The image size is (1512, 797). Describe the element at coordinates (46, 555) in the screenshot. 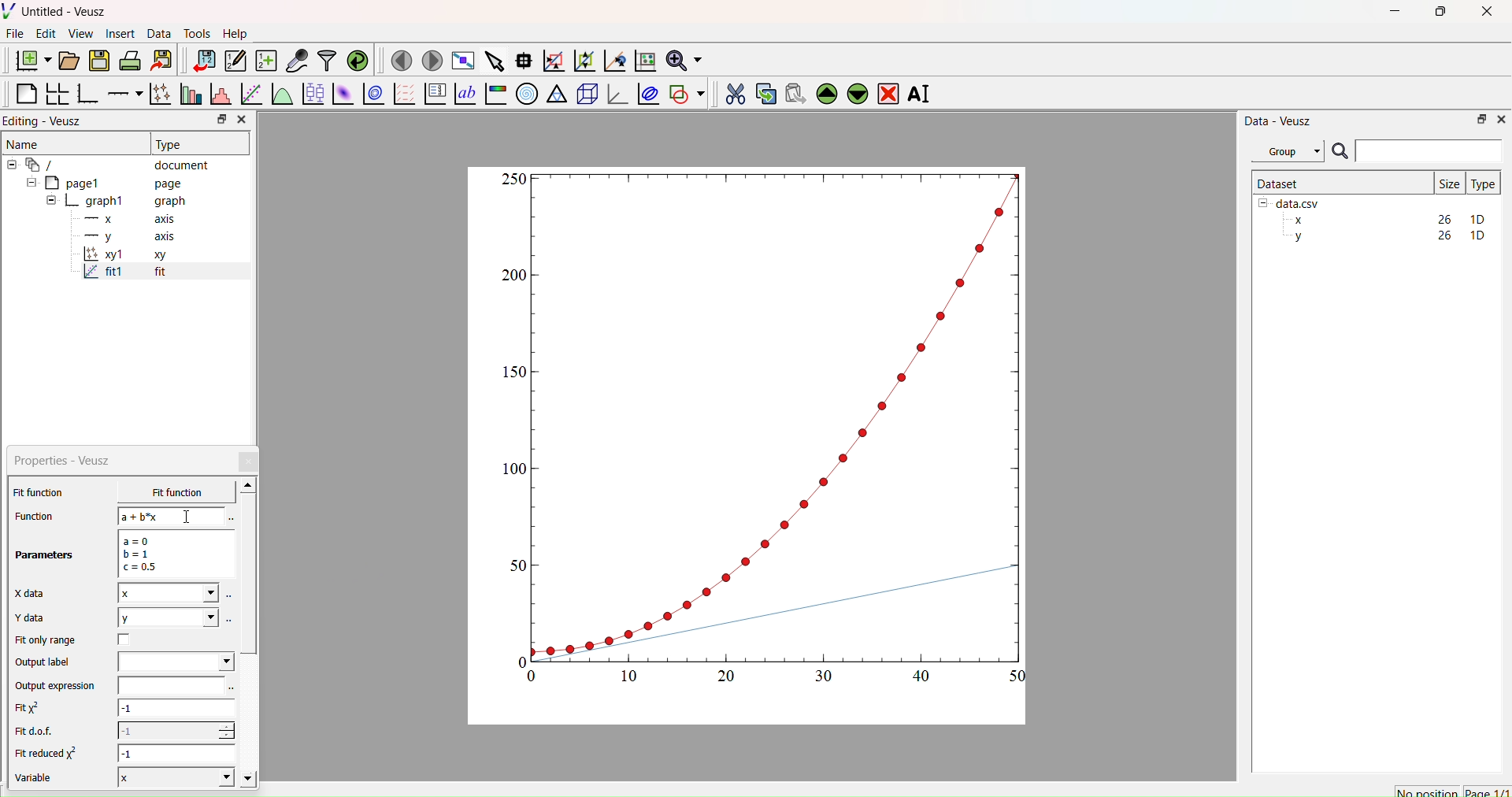

I see `Parameters` at that location.